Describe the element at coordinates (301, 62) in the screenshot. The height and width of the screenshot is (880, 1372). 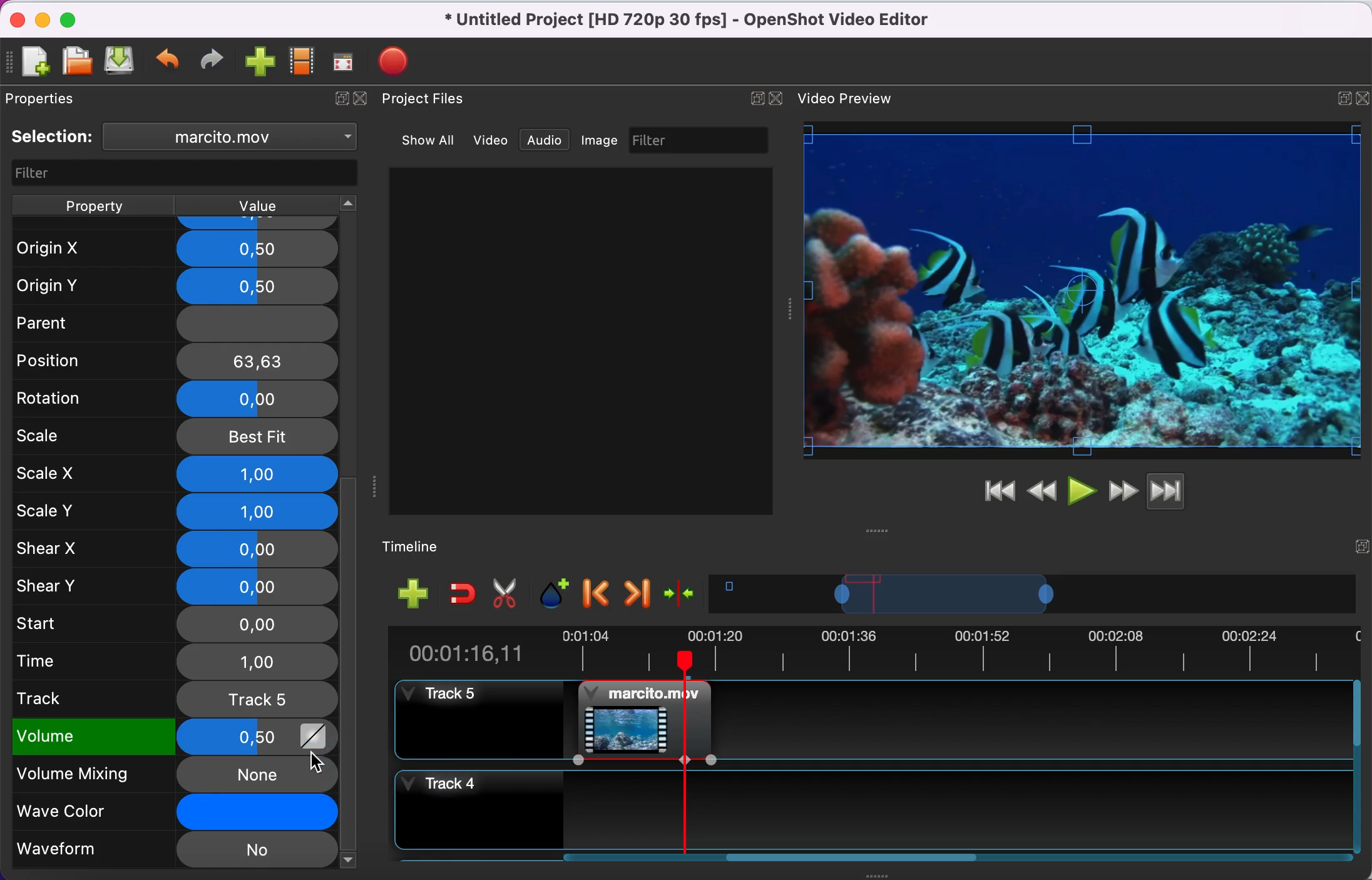
I see `choose profile` at that location.